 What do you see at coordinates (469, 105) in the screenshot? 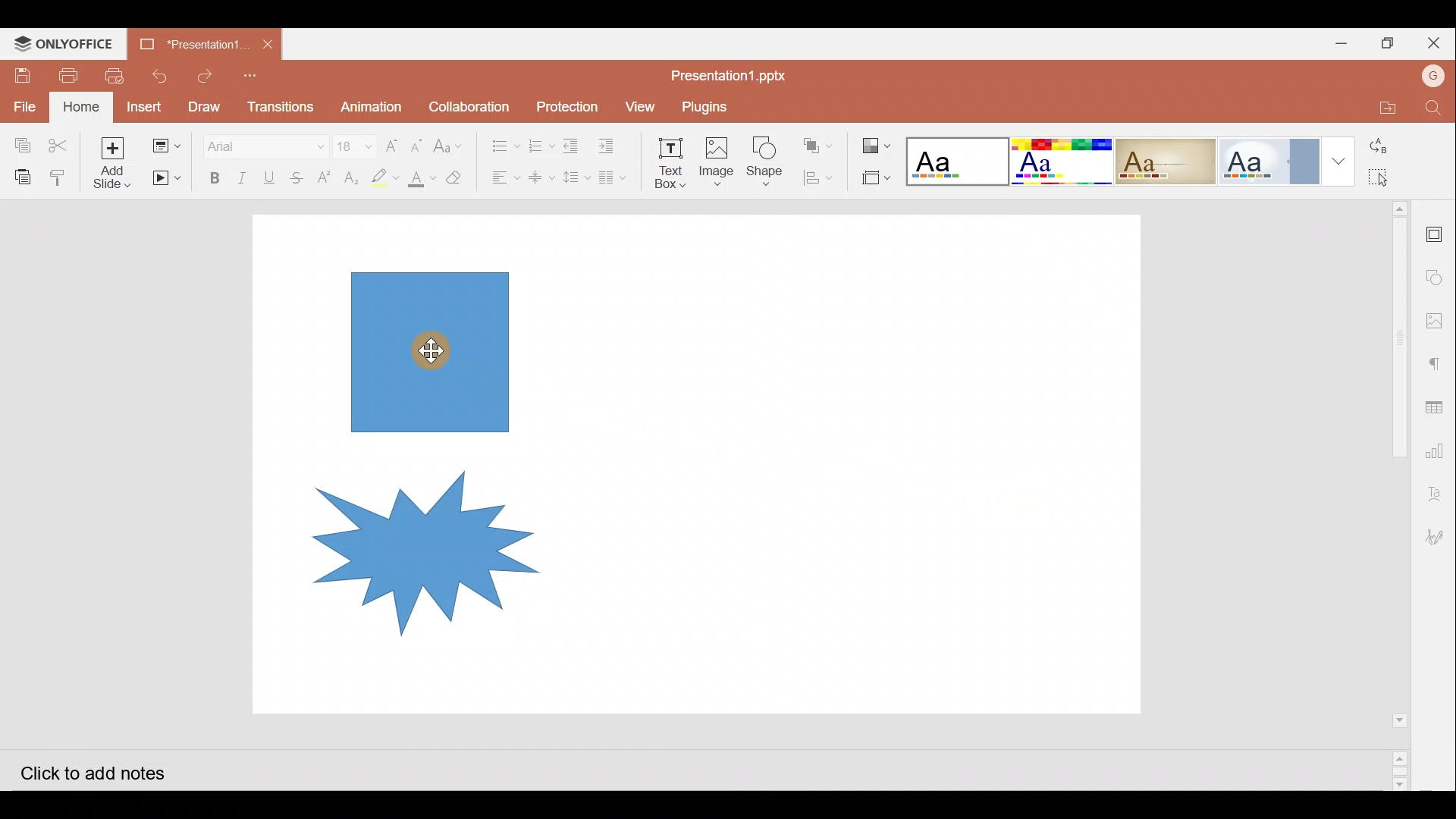
I see `Collaboration` at bounding box center [469, 105].